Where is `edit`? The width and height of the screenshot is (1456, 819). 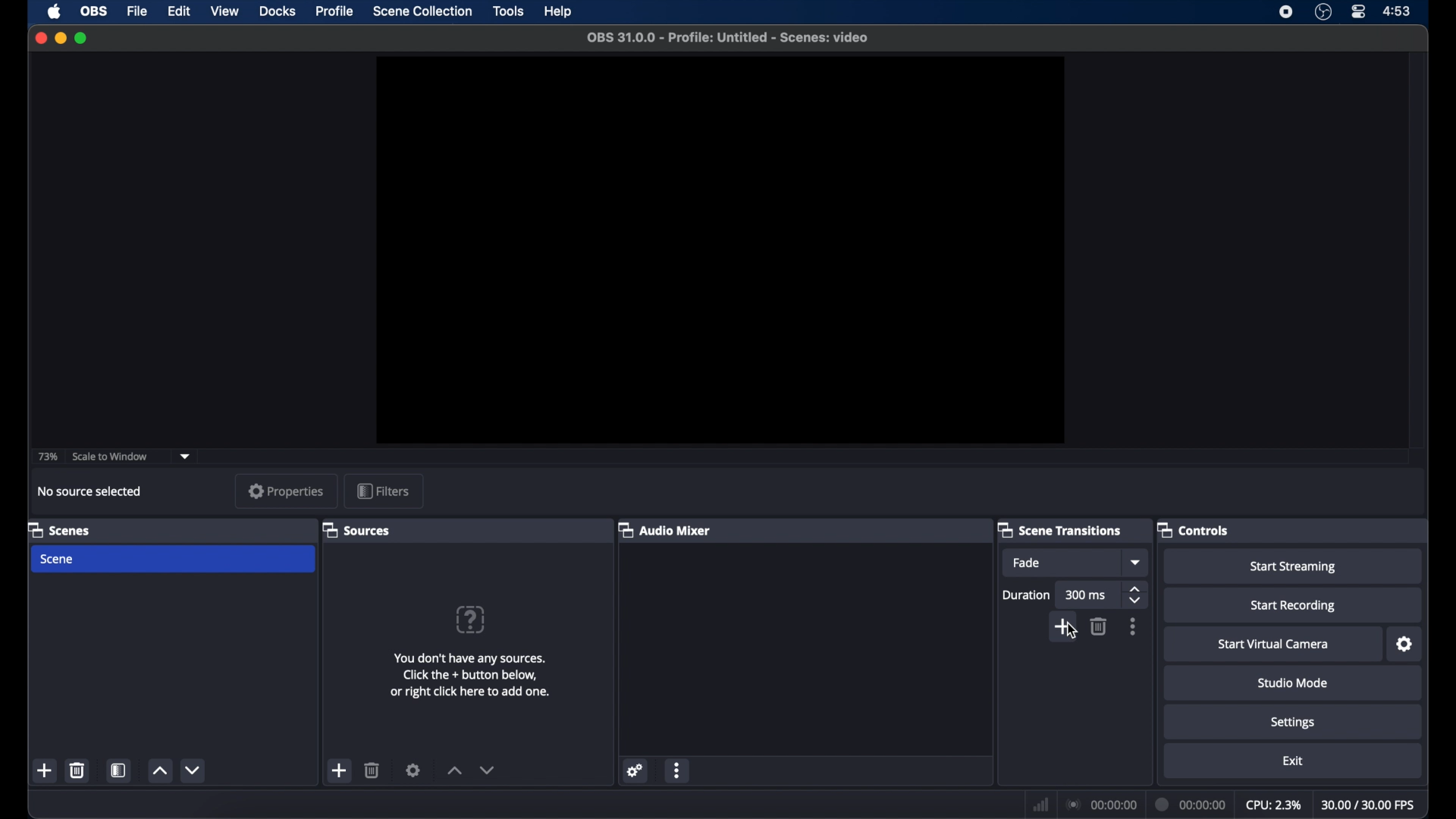
edit is located at coordinates (178, 11).